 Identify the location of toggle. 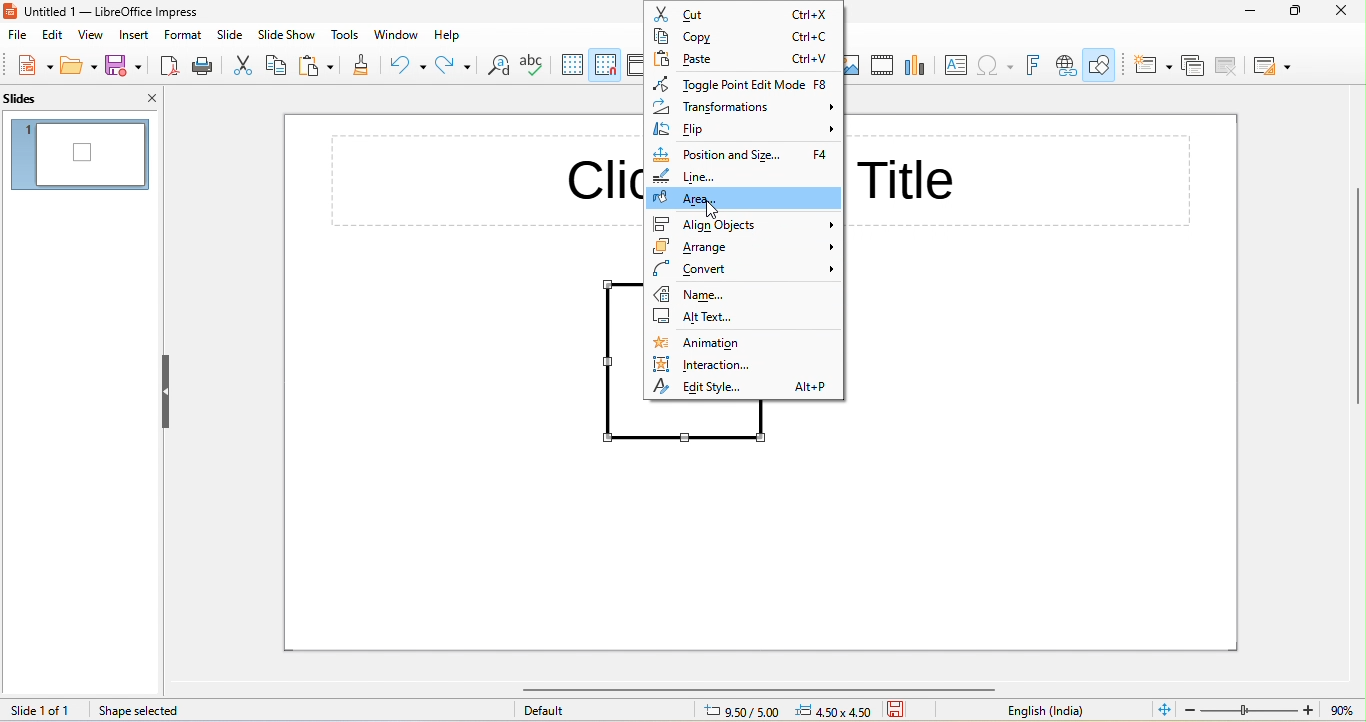
(730, 86).